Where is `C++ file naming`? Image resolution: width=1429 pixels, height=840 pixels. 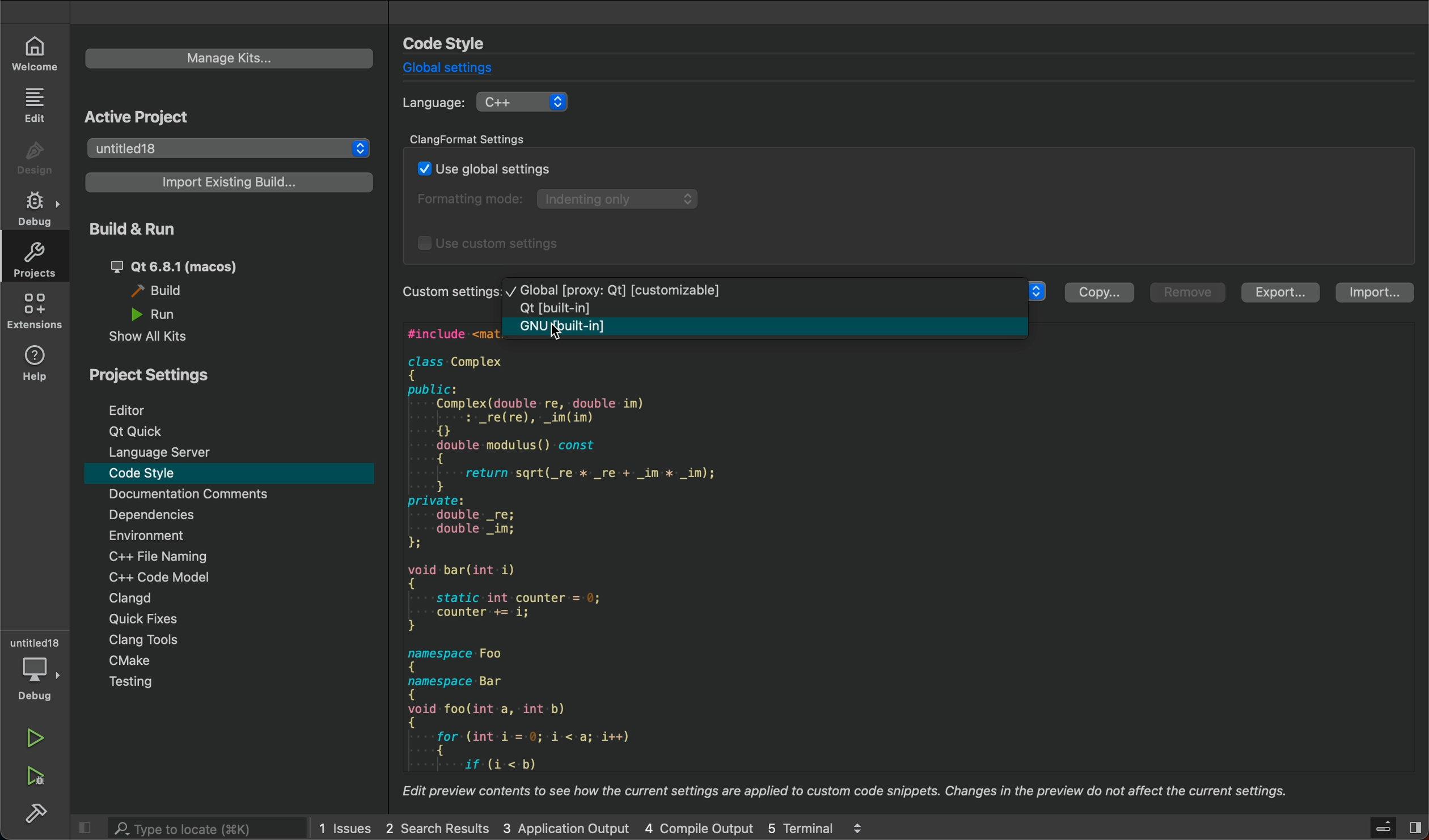 C++ file naming is located at coordinates (184, 556).